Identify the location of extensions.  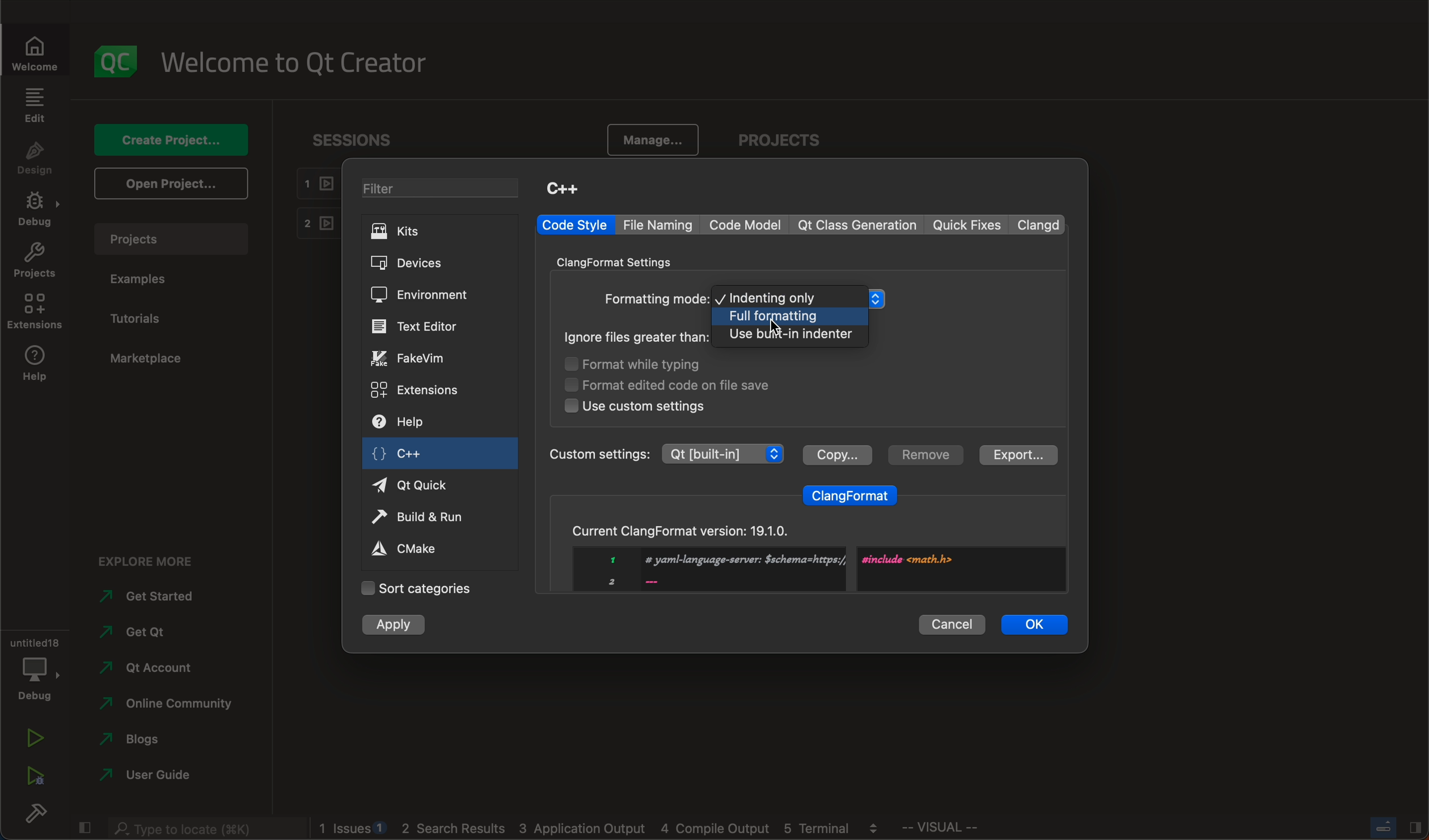
(417, 389).